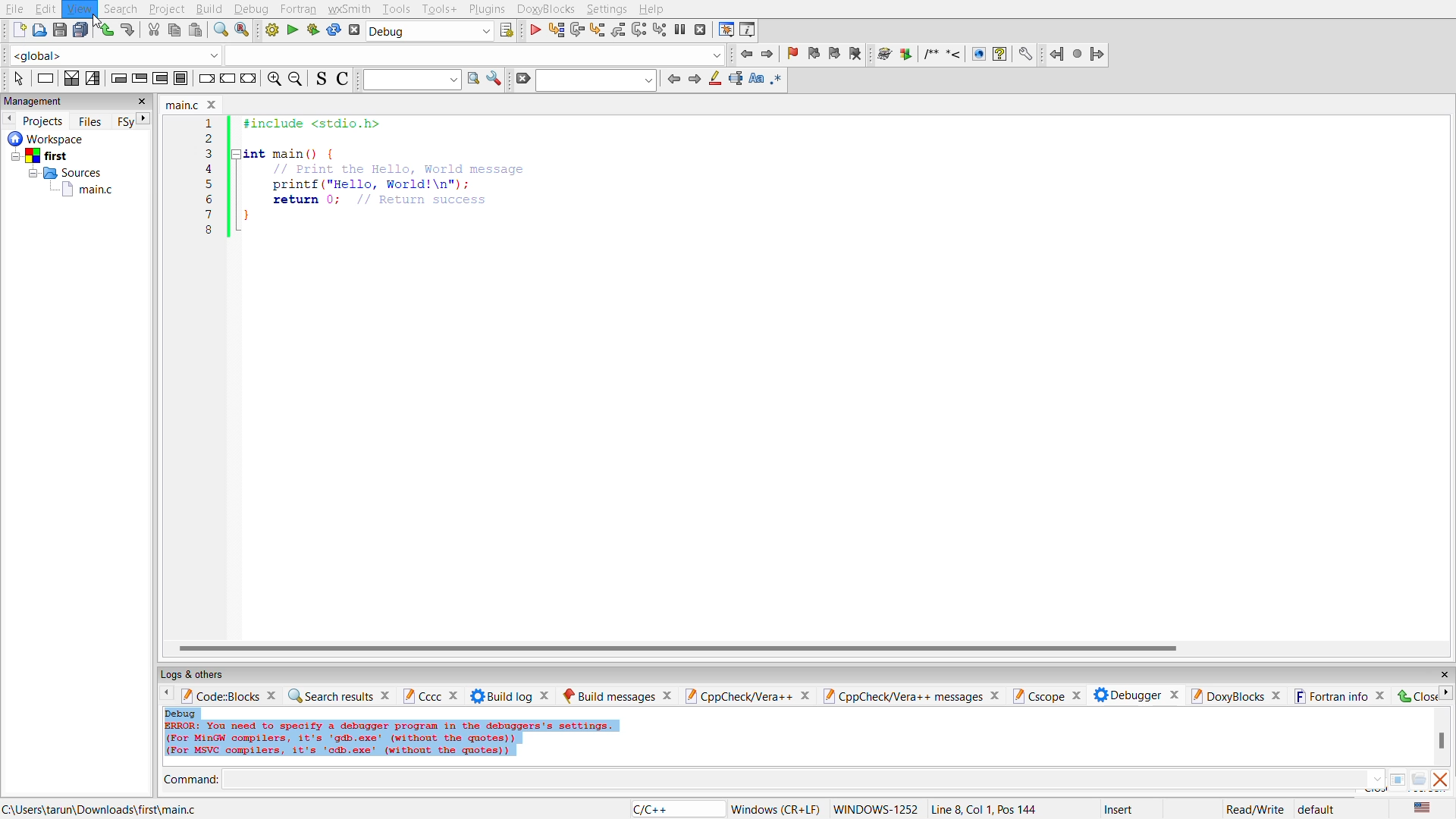 Image resolution: width=1456 pixels, height=819 pixels. Describe the element at coordinates (682, 31) in the screenshot. I see `break debugger` at that location.